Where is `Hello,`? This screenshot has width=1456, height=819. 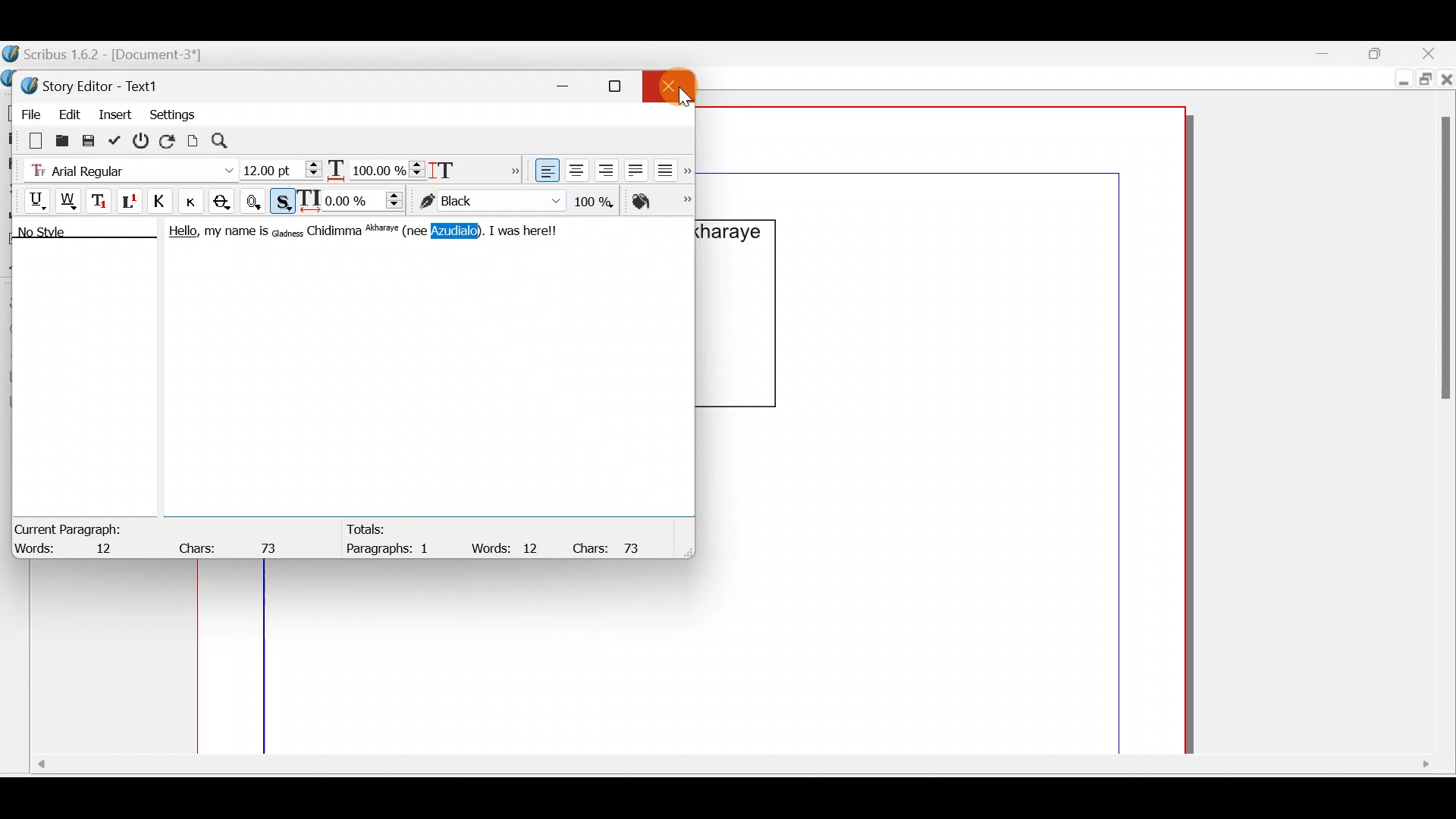 Hello, is located at coordinates (179, 234).